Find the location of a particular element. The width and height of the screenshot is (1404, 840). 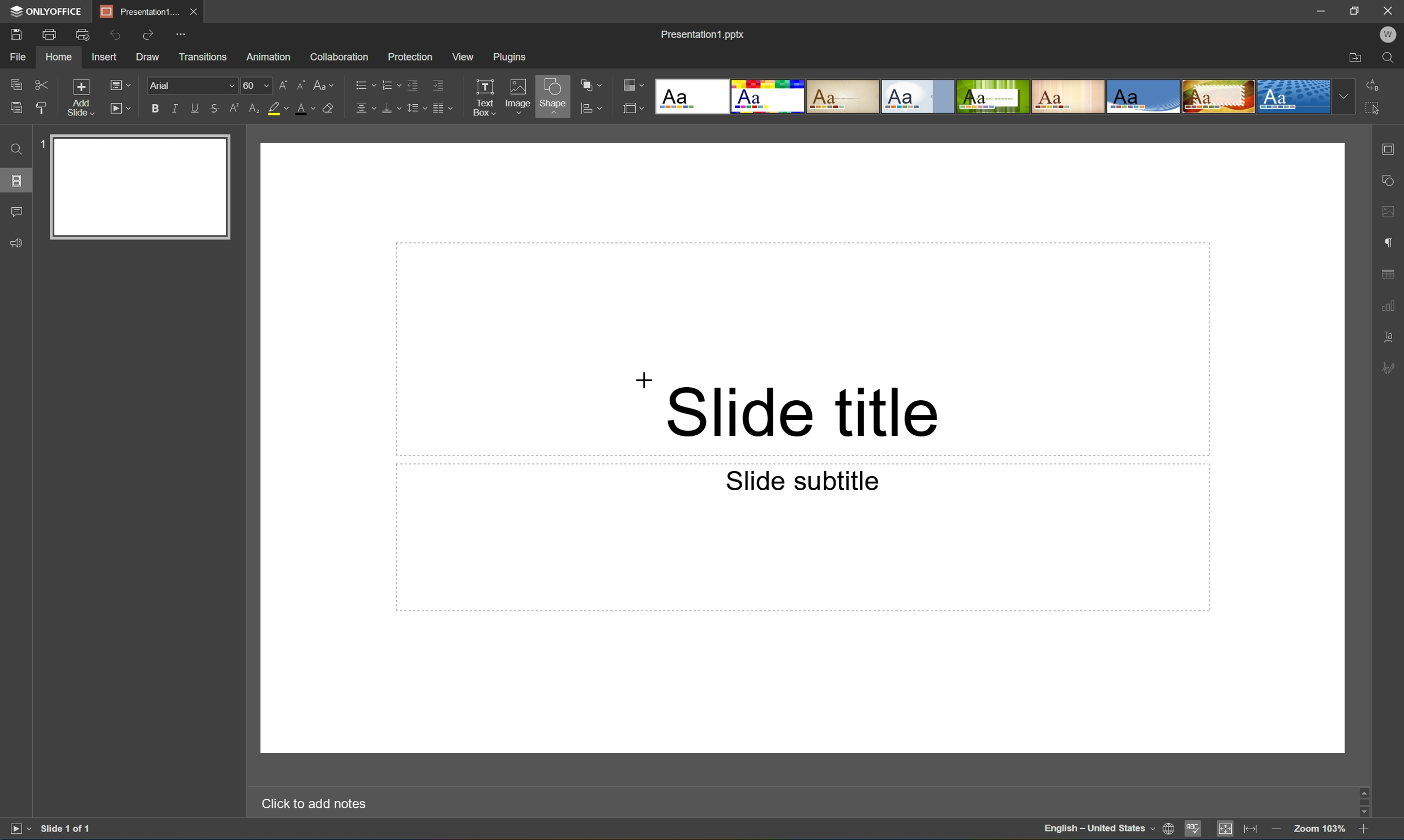

signature settings is located at coordinates (1390, 368).